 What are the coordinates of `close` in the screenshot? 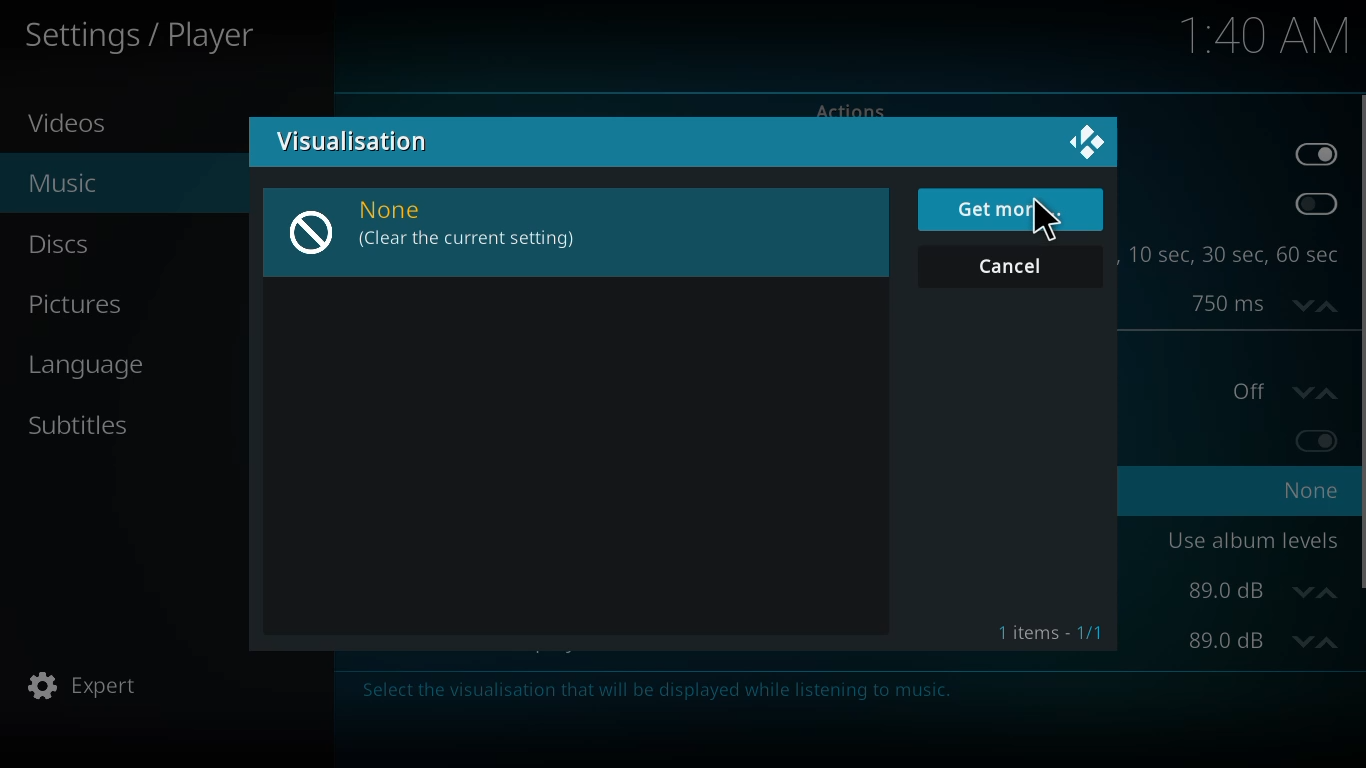 It's located at (1088, 142).